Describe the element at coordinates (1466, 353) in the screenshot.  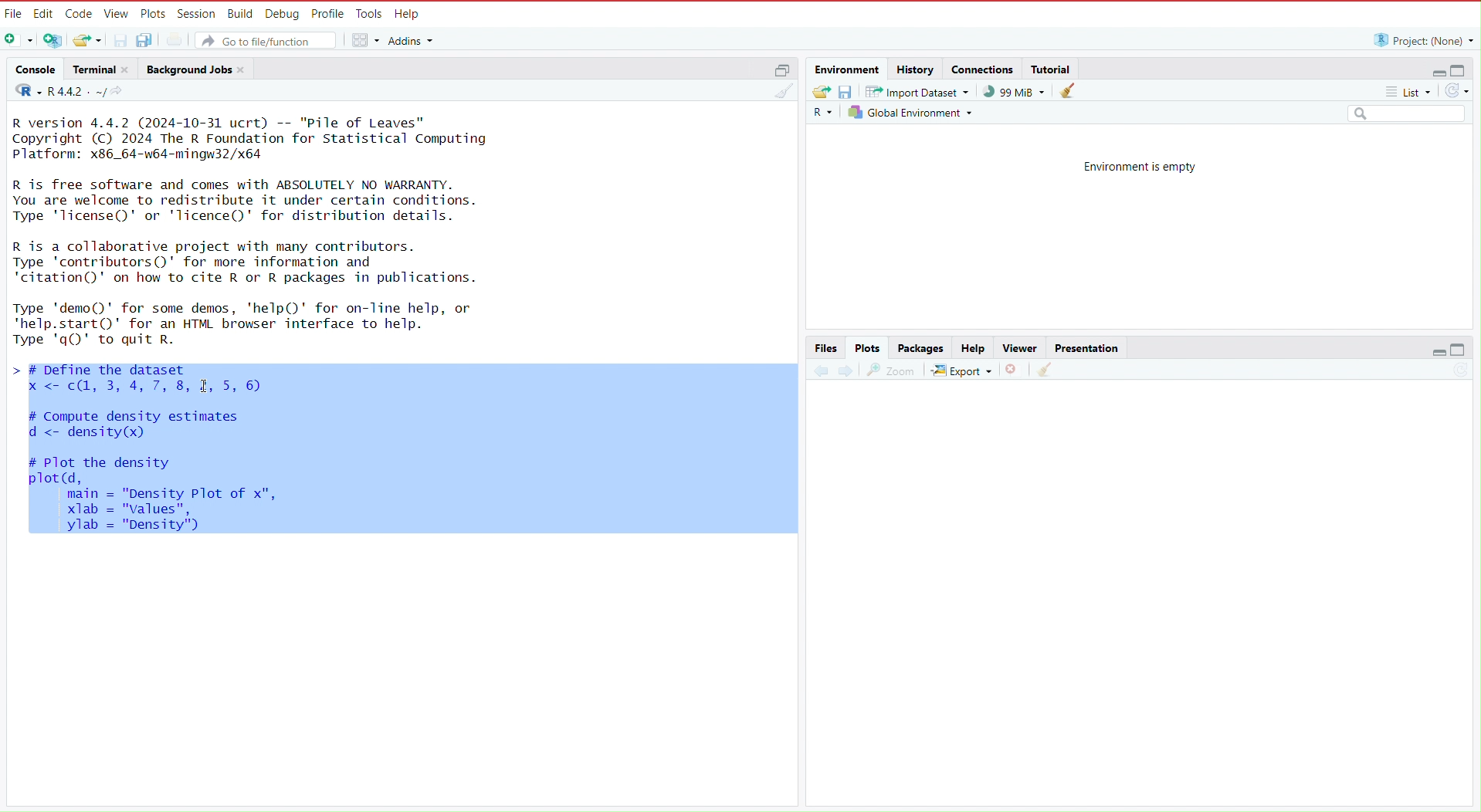
I see `maximize` at that location.